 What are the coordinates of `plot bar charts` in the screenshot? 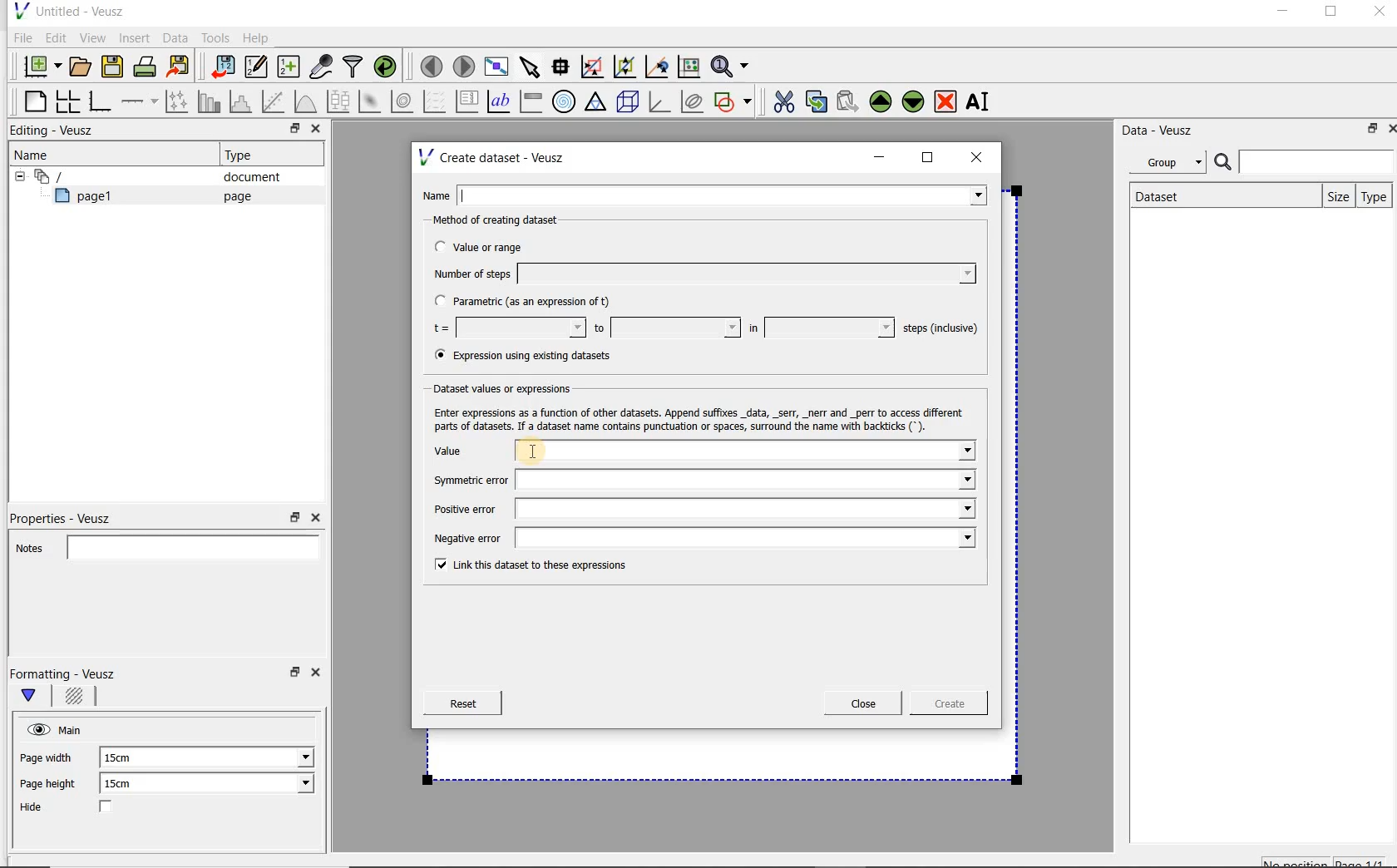 It's located at (210, 101).